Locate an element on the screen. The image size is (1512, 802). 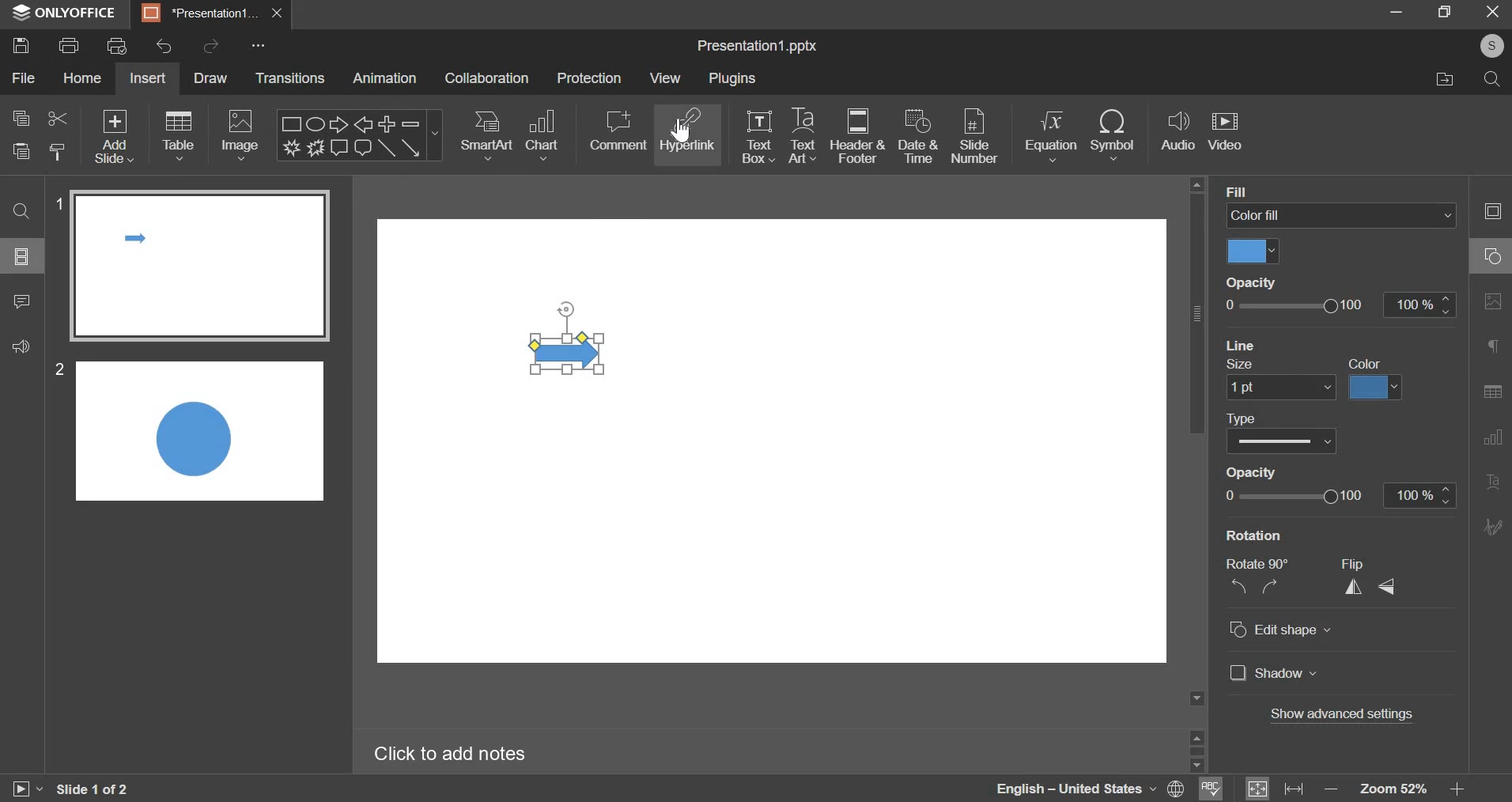
2 is located at coordinates (59, 370).